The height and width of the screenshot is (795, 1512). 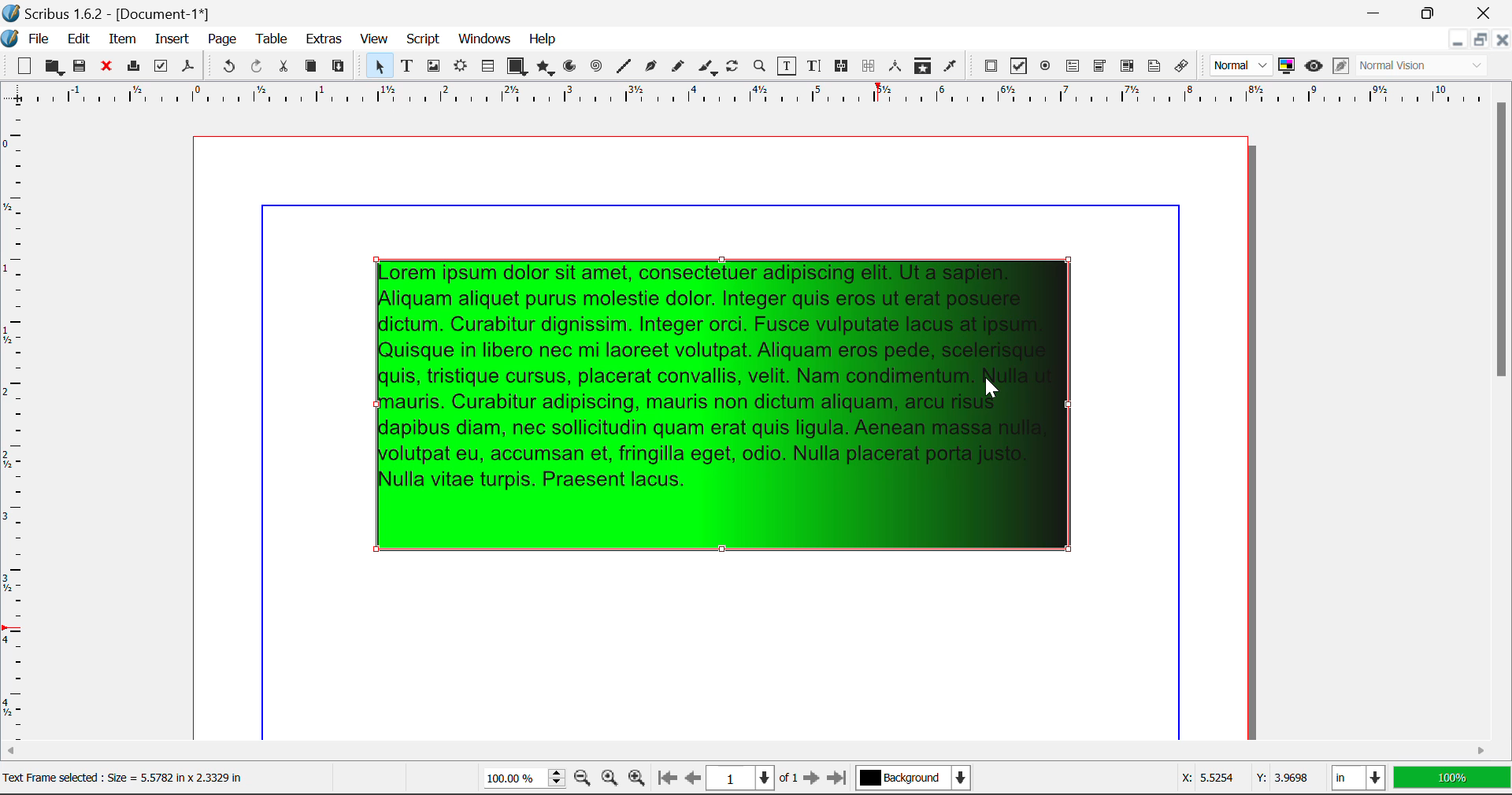 What do you see at coordinates (170, 42) in the screenshot?
I see `Insert` at bounding box center [170, 42].